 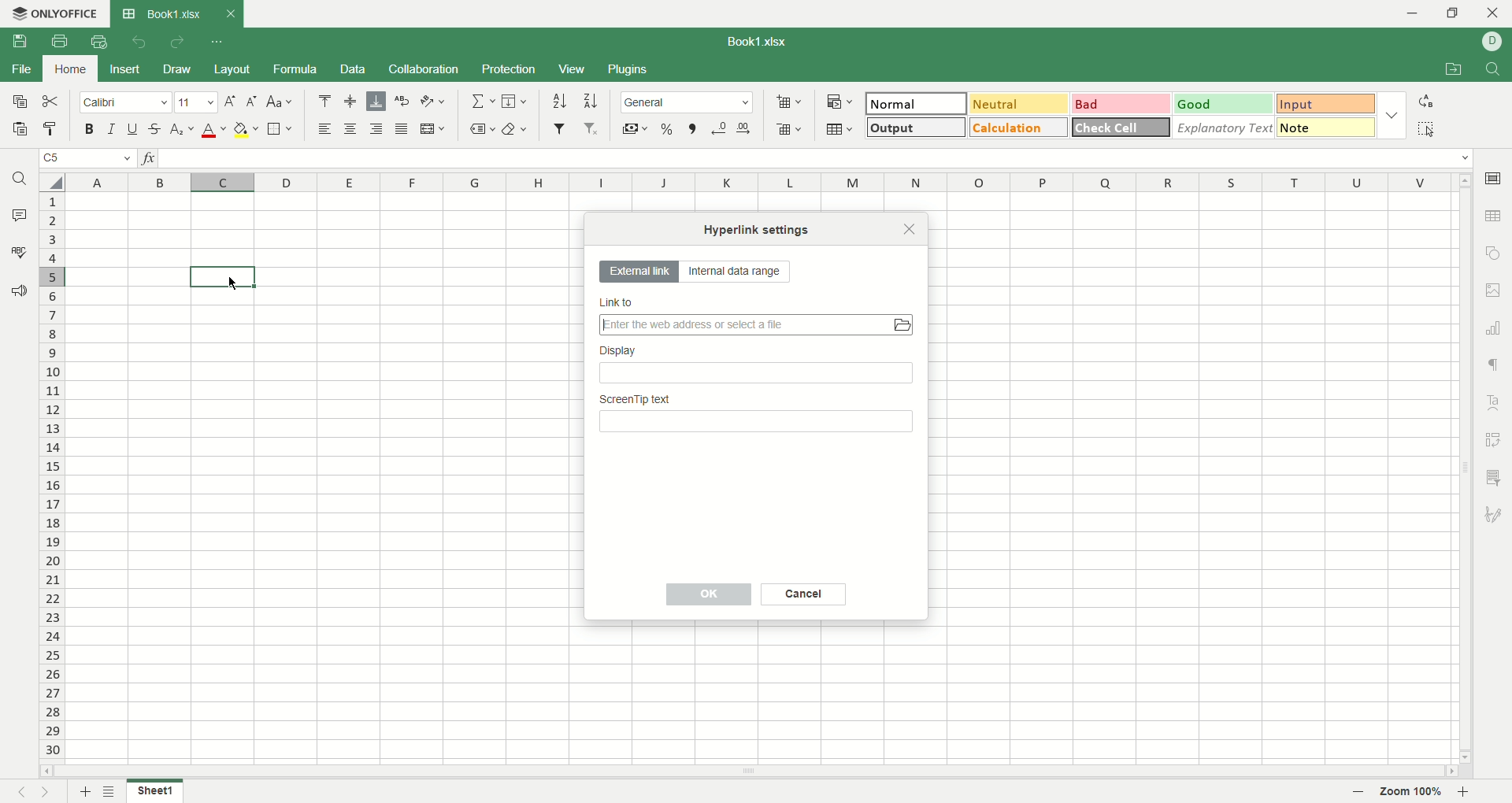 I want to click on cell settings, so click(x=1492, y=176).